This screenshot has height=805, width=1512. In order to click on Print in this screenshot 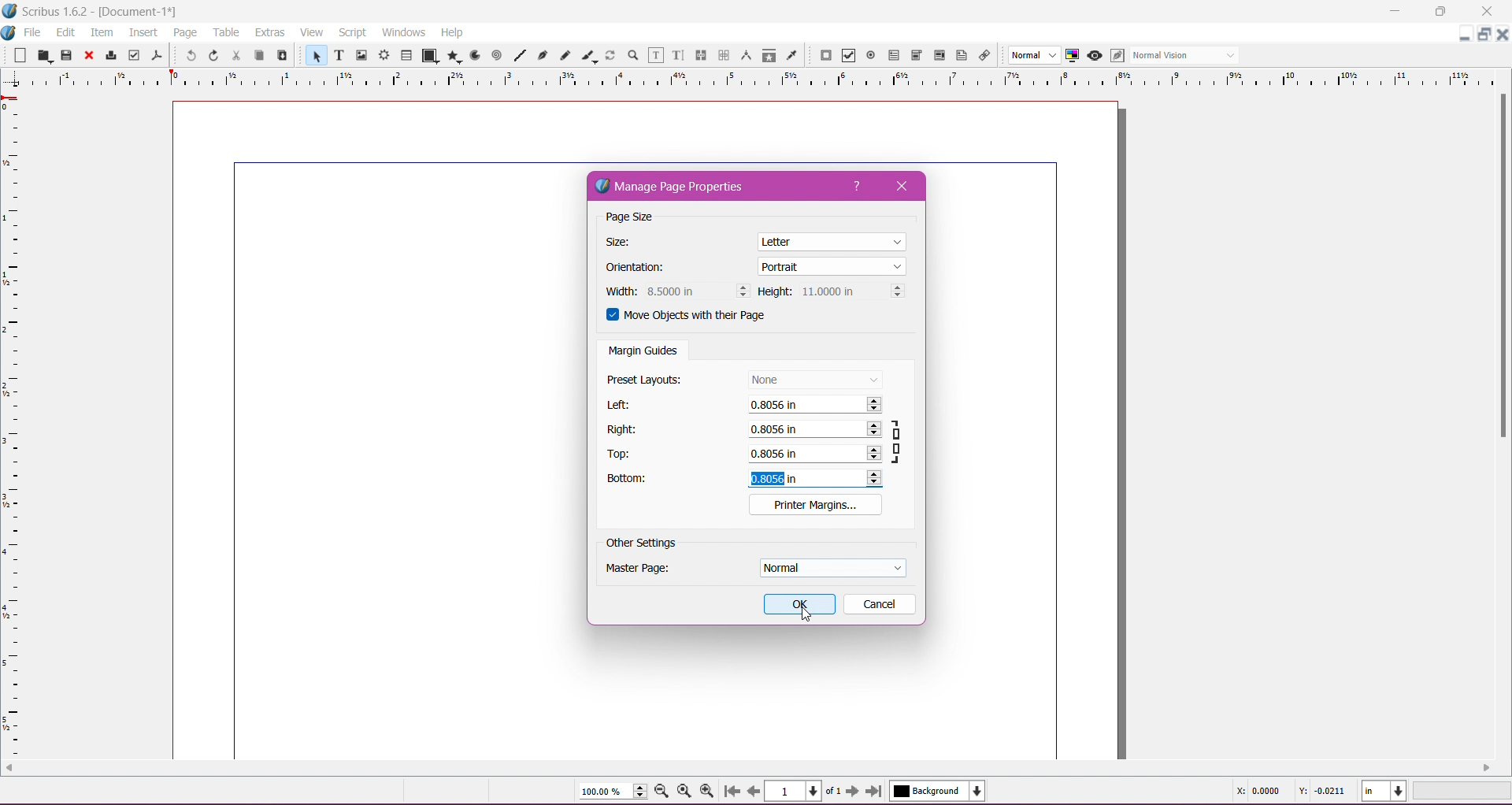, I will do `click(110, 55)`.